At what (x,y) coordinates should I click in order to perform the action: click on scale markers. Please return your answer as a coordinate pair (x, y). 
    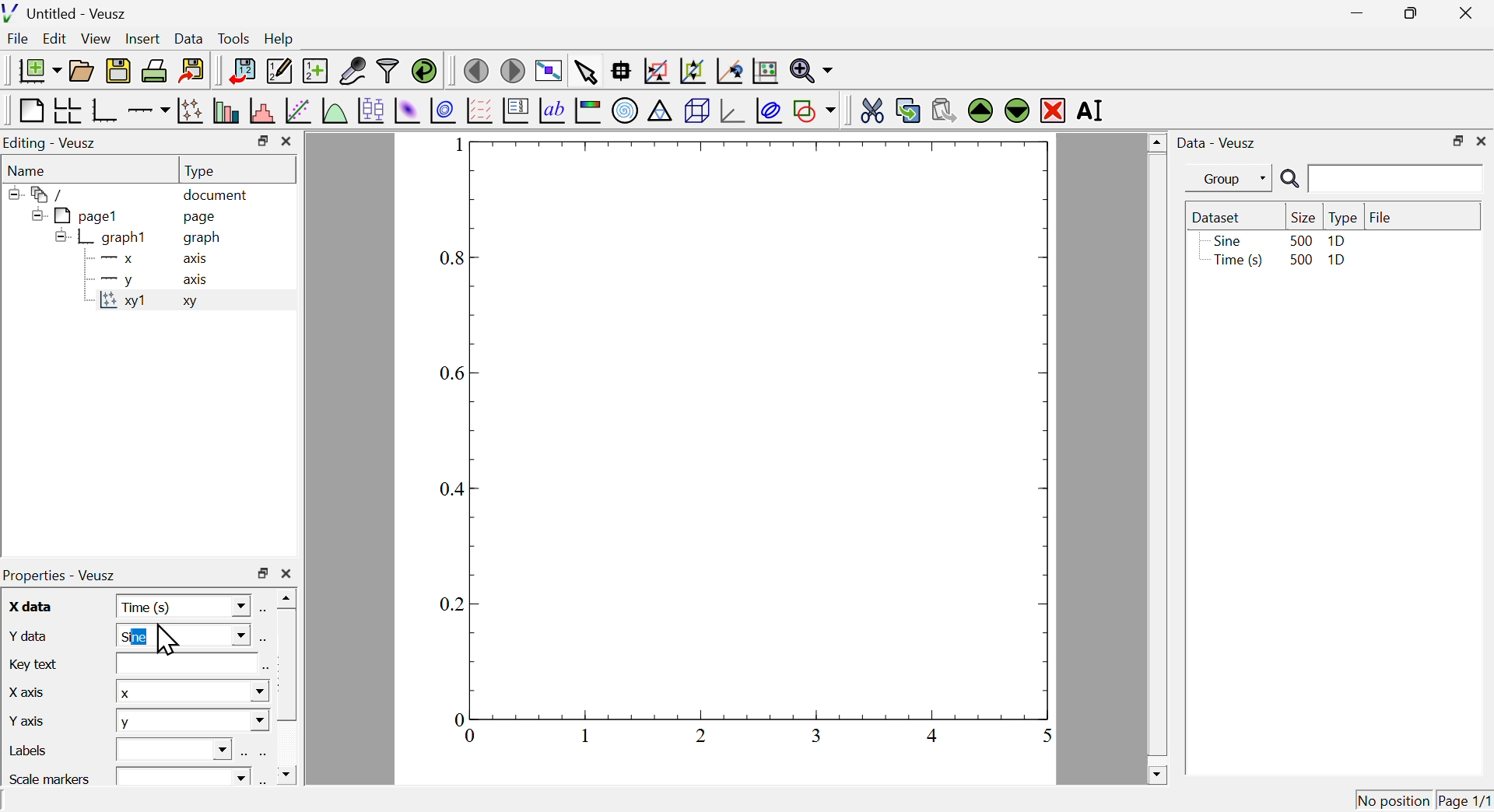
    Looking at the image, I should click on (53, 777).